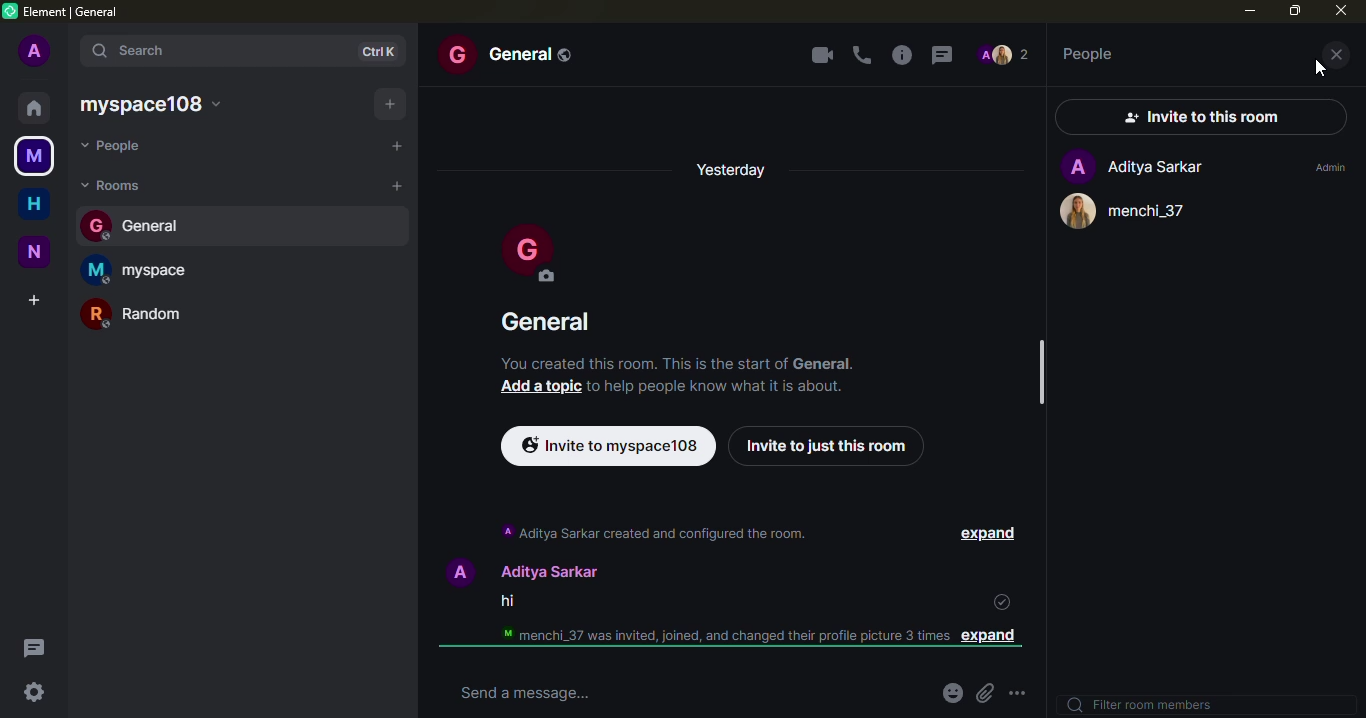 The width and height of the screenshot is (1366, 718). Describe the element at coordinates (144, 223) in the screenshot. I see `general` at that location.